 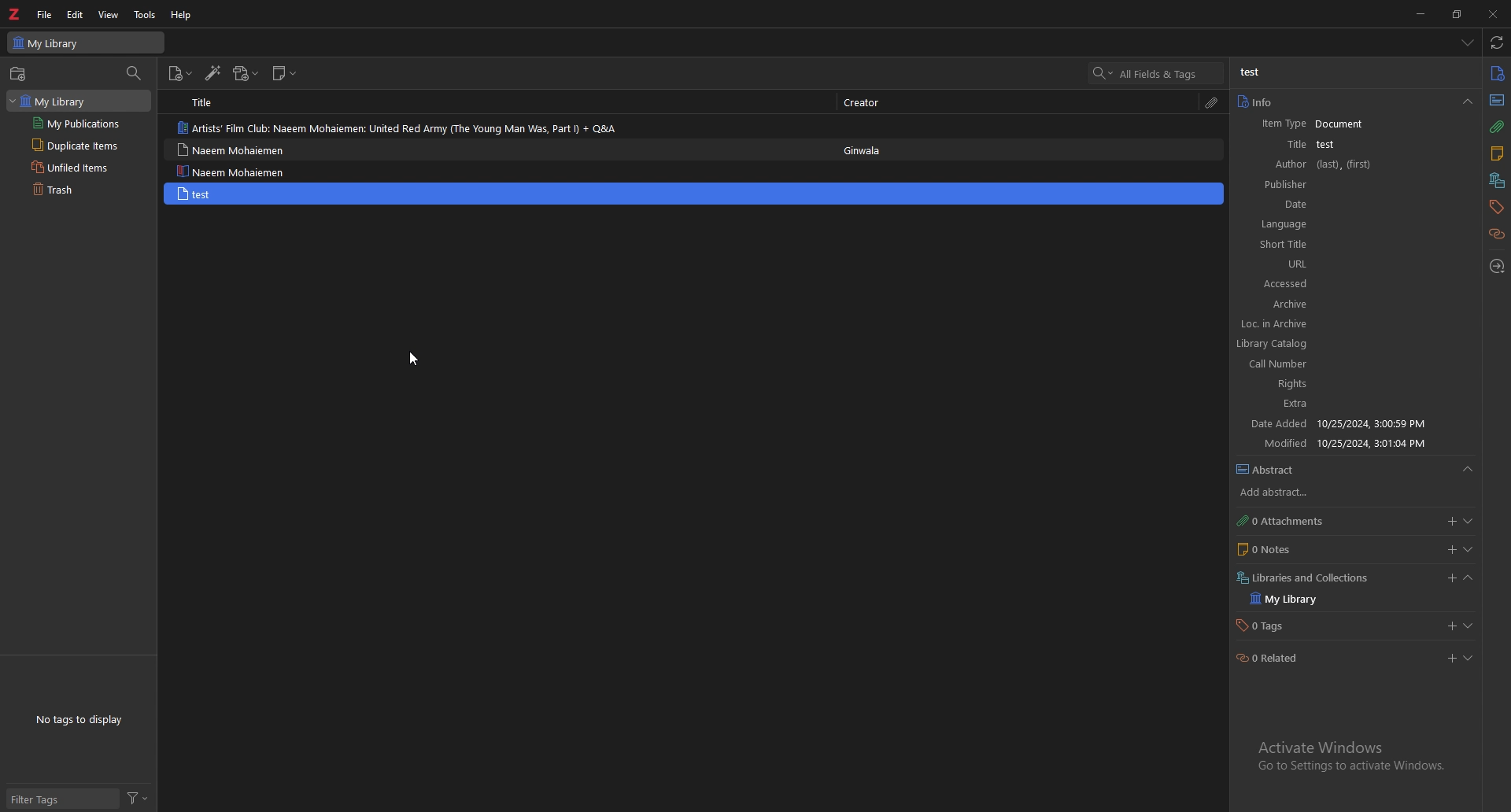 What do you see at coordinates (1214, 102) in the screenshot?
I see `attachments` at bounding box center [1214, 102].